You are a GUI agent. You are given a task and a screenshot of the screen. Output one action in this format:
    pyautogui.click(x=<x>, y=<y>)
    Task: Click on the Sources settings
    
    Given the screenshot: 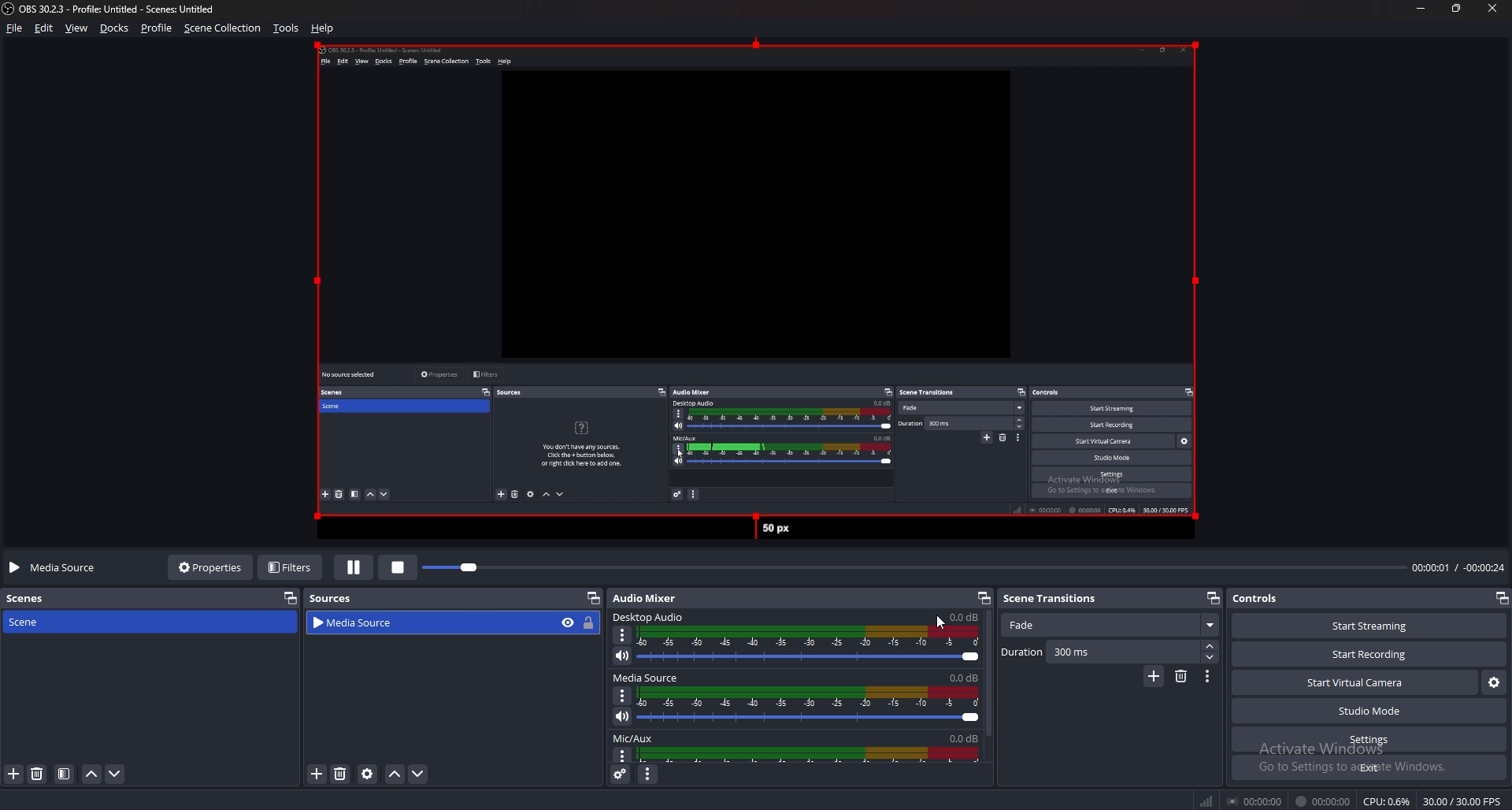 What is the action you would take?
    pyautogui.click(x=369, y=774)
    